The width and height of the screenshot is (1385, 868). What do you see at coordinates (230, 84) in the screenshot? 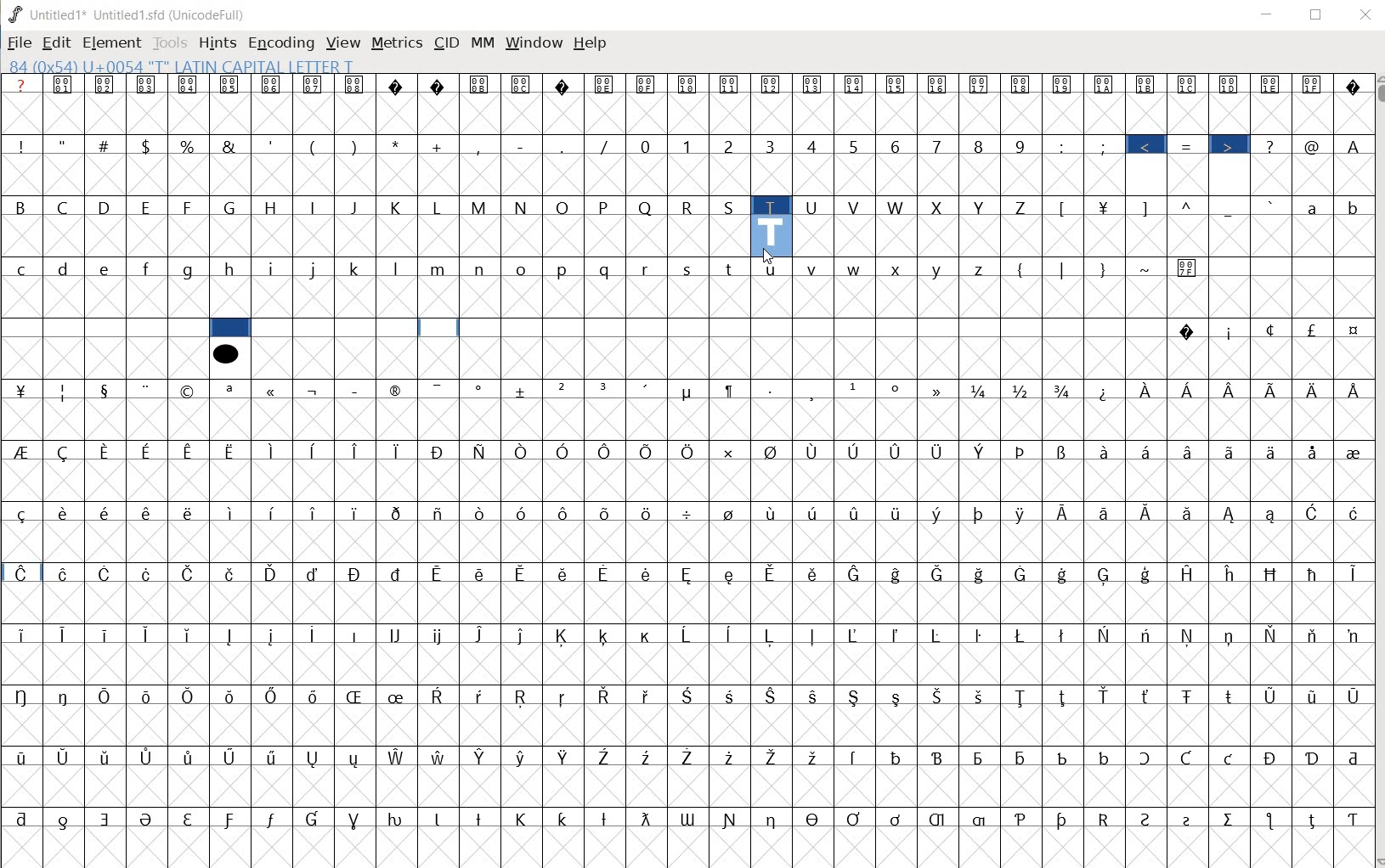
I see `Symbol` at bounding box center [230, 84].